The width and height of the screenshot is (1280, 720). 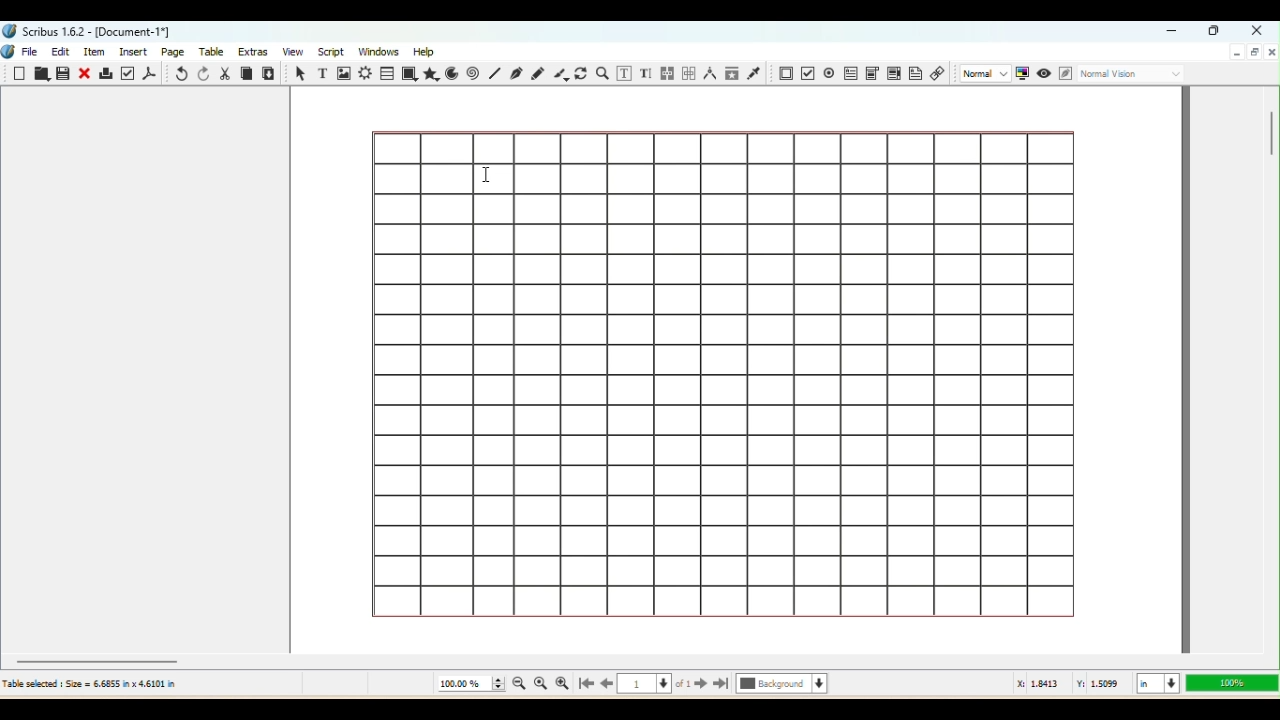 I want to click on Copy item properties, so click(x=732, y=74).